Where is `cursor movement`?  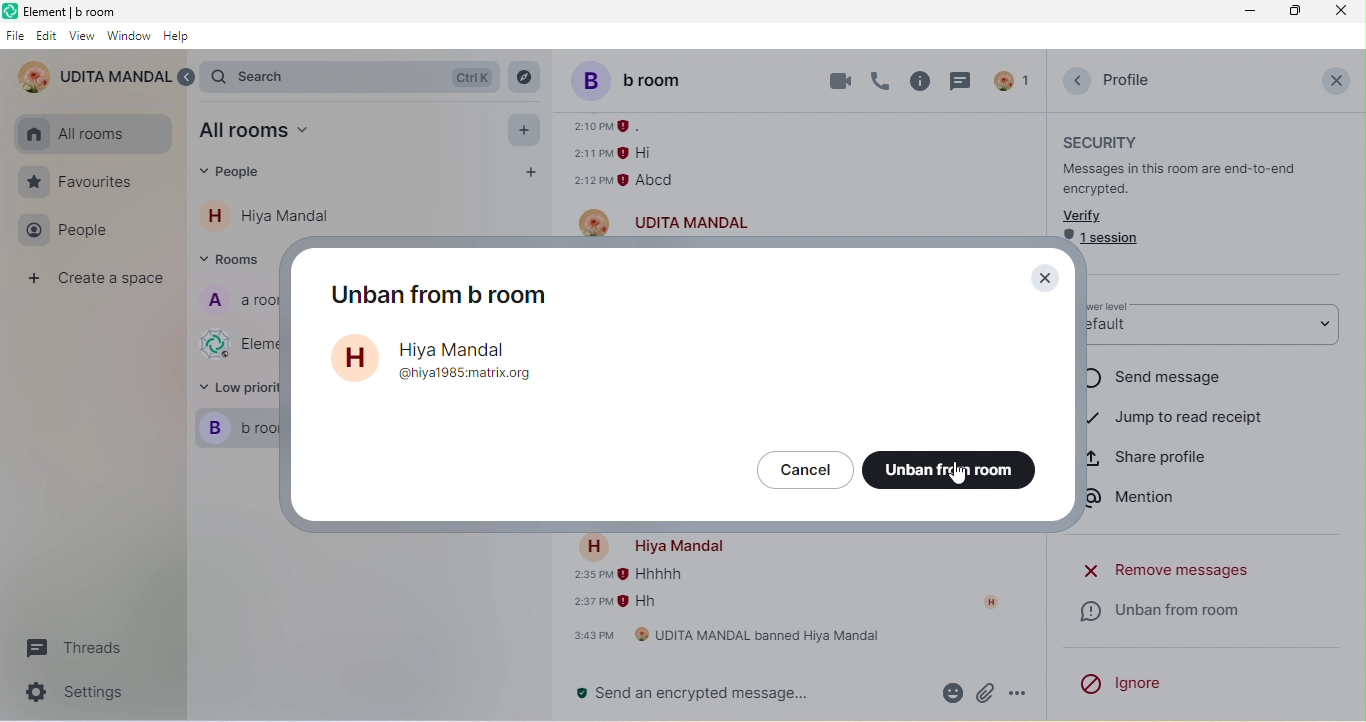
cursor movement is located at coordinates (958, 476).